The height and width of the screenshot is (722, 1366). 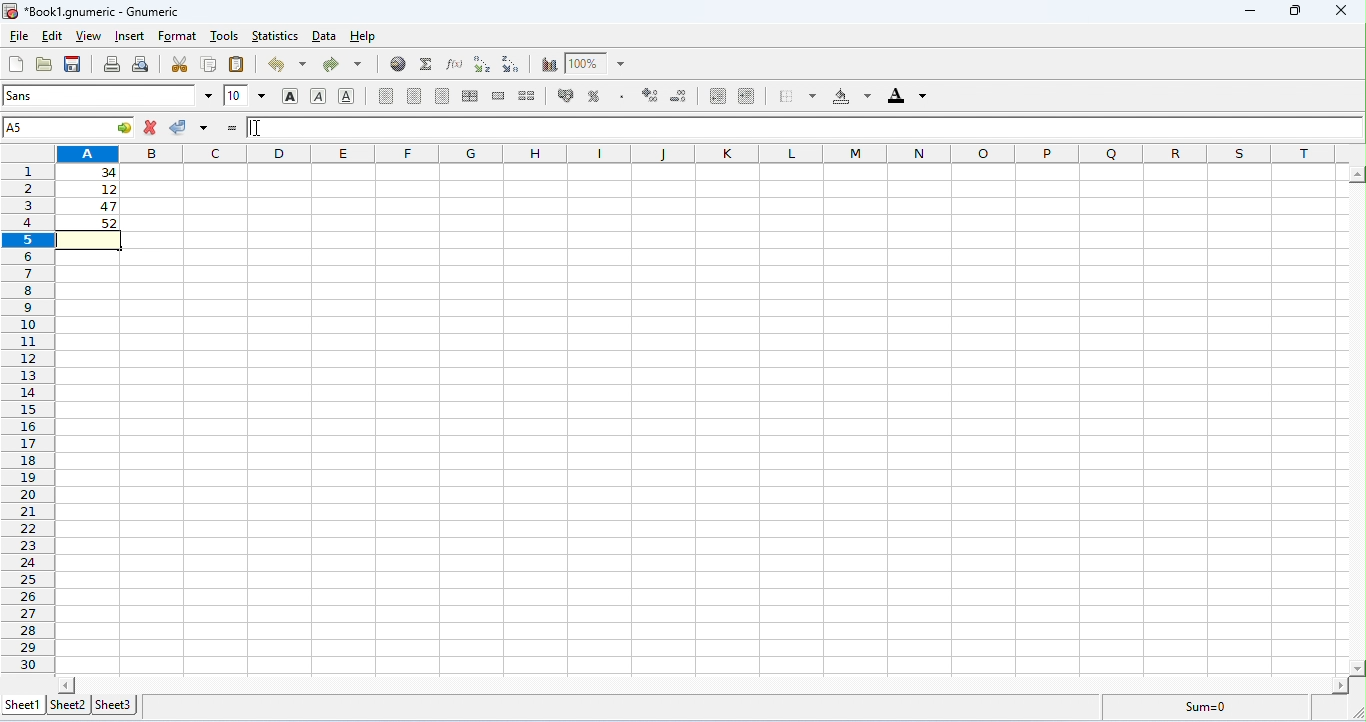 I want to click on sheet1, so click(x=25, y=705).